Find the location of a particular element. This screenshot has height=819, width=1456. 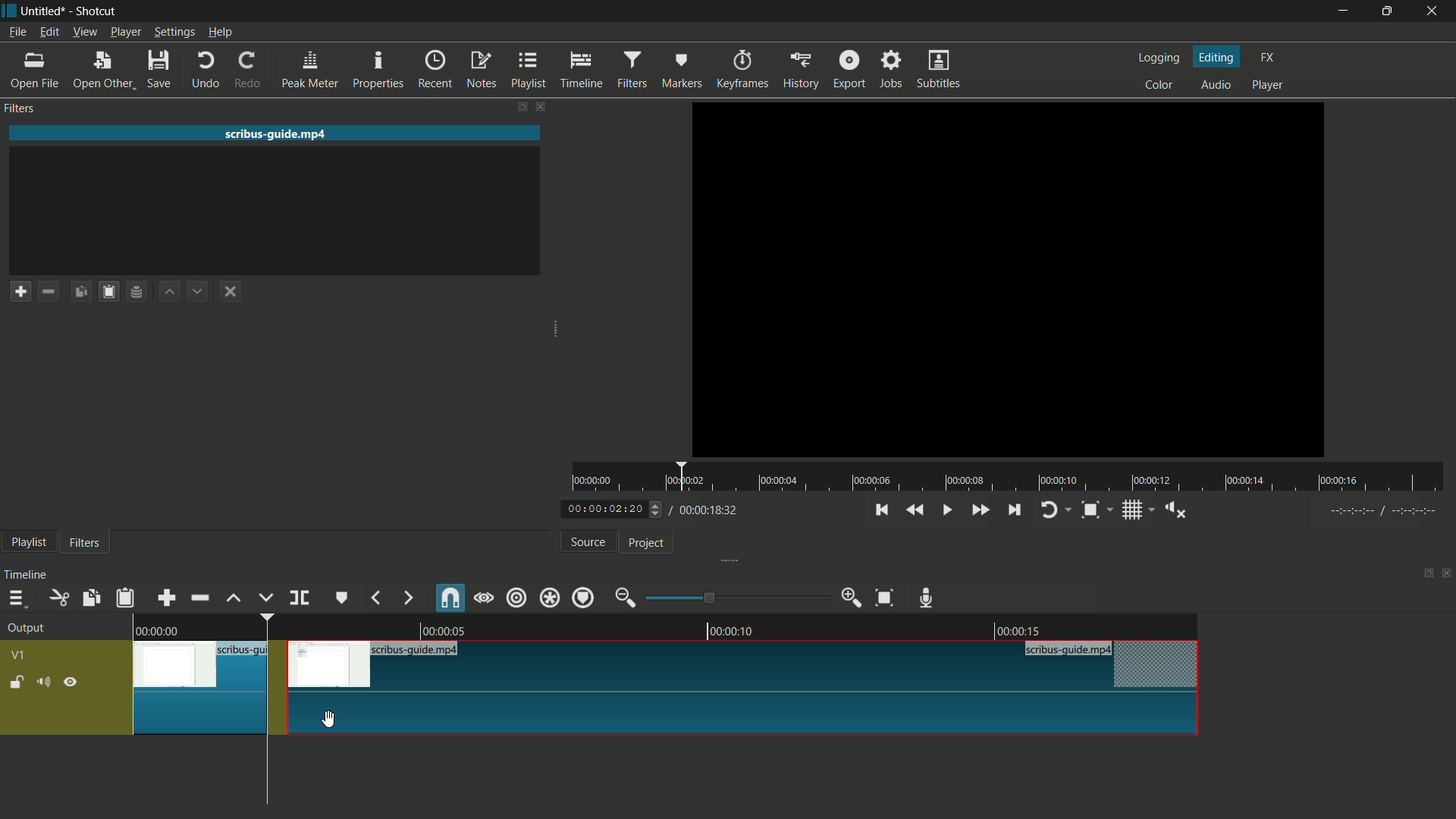

toggle grid is located at coordinates (1134, 510).